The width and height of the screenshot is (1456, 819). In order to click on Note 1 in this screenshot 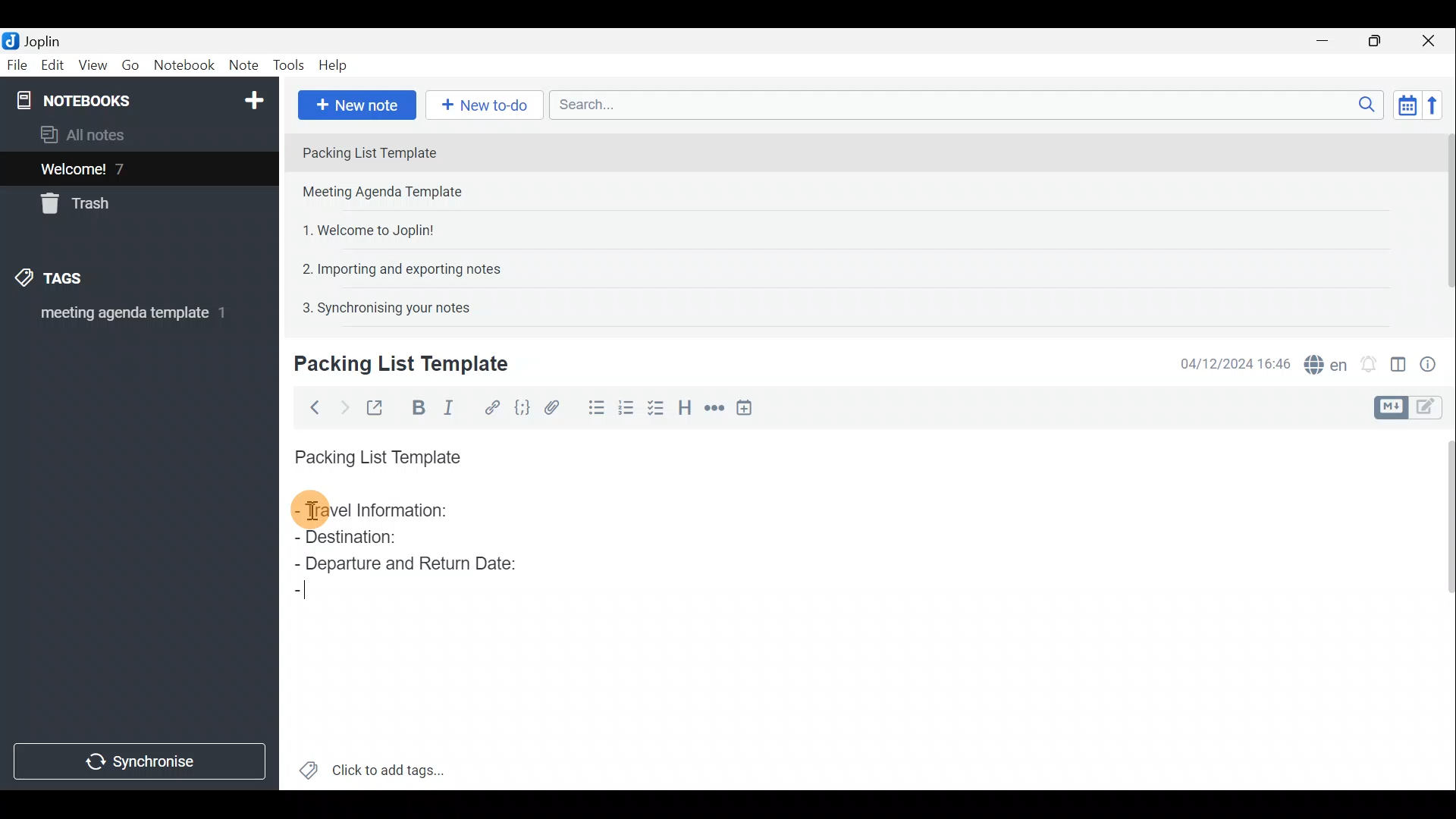, I will do `click(424, 151)`.